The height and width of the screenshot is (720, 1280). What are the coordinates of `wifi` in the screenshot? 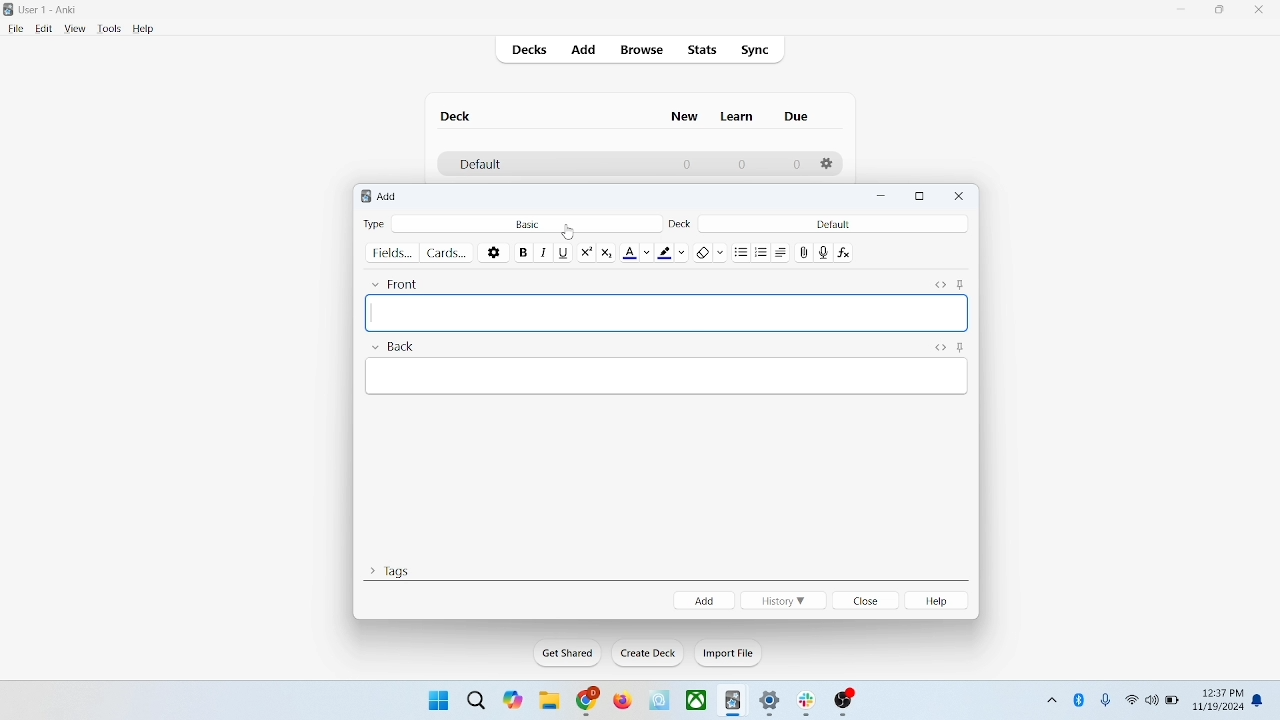 It's located at (1131, 699).